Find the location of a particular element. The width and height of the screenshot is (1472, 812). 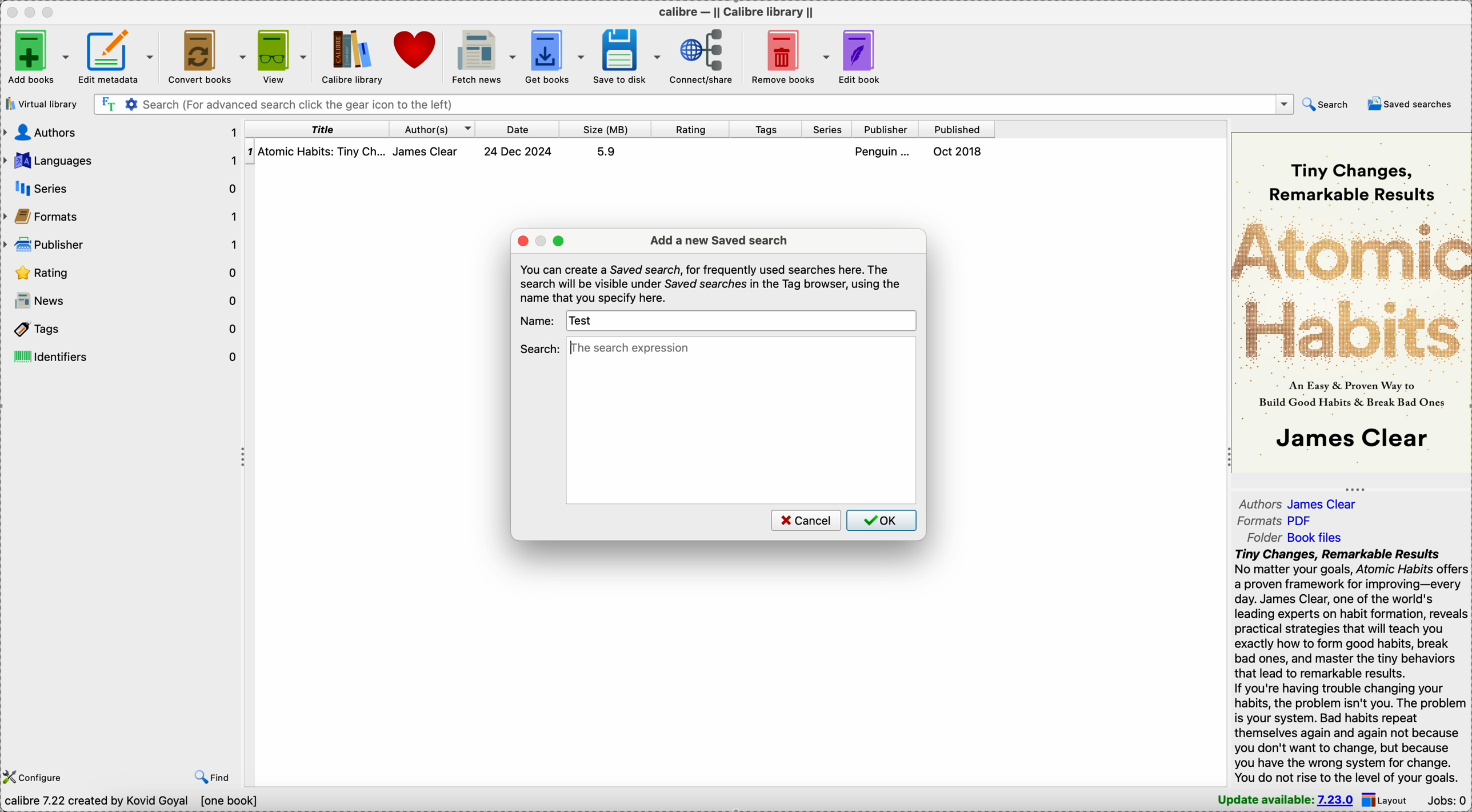

layout is located at coordinates (1389, 799).